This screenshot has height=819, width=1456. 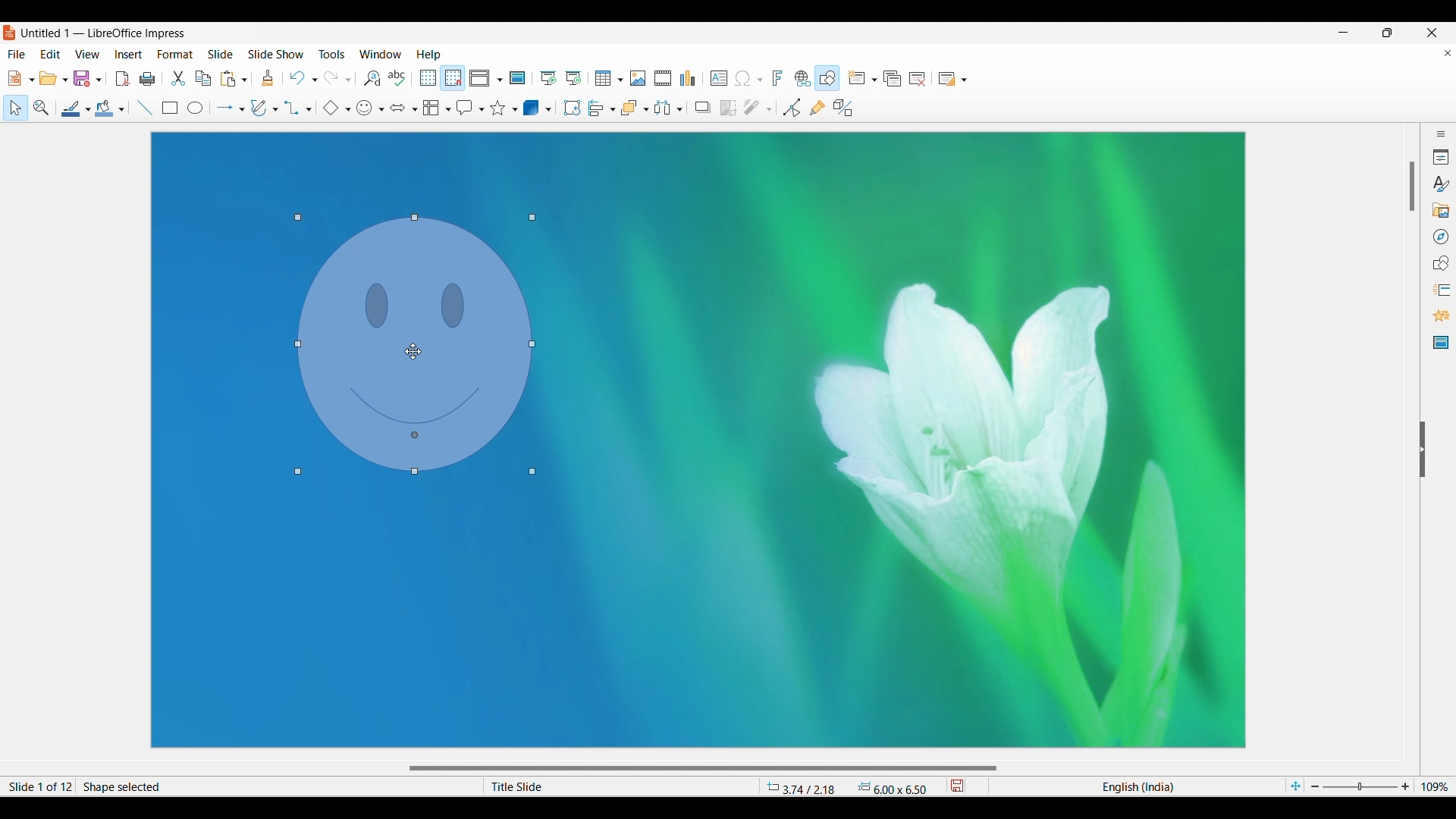 What do you see at coordinates (1442, 315) in the screenshot?
I see `Animation` at bounding box center [1442, 315].